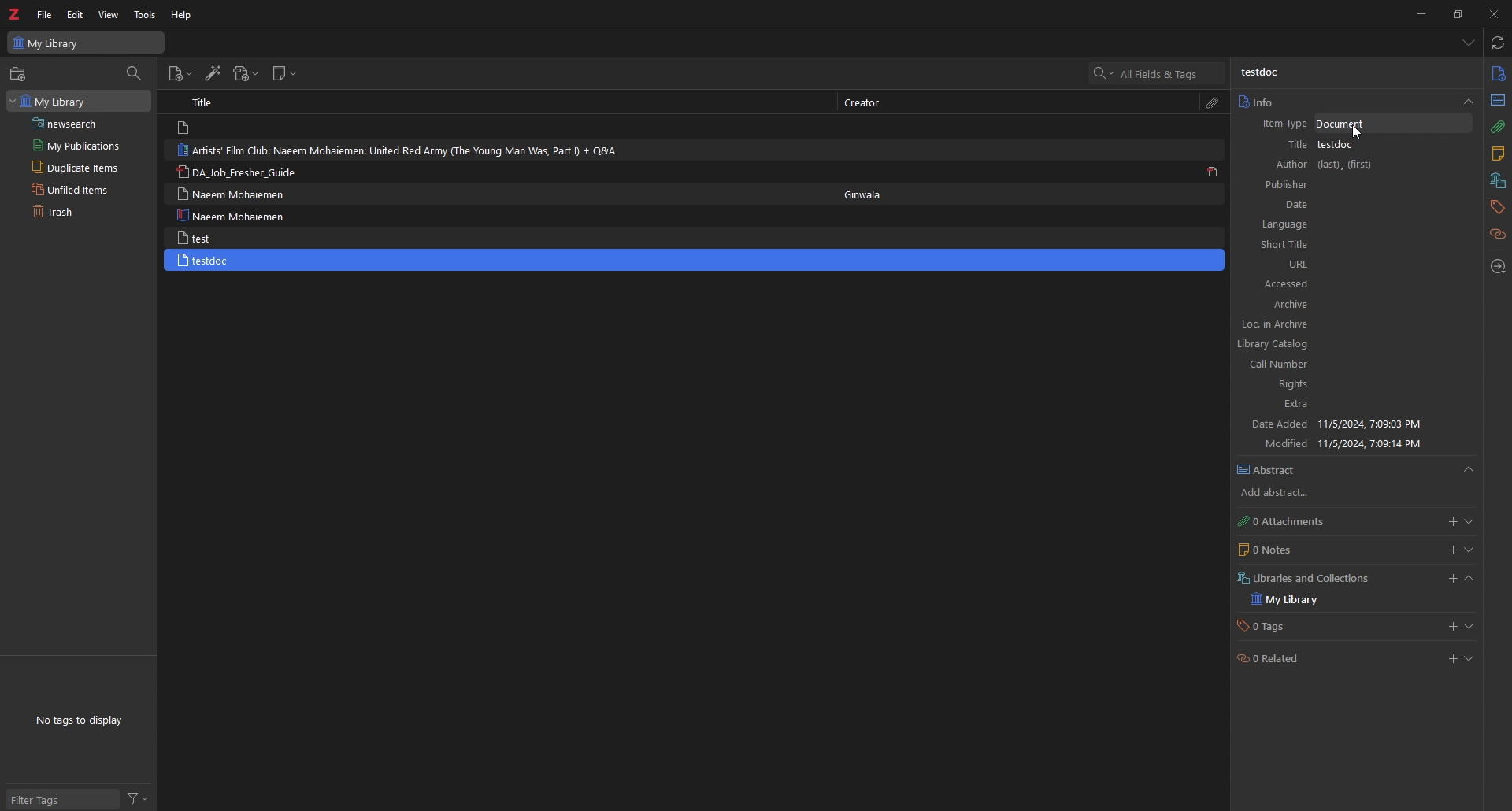 This screenshot has width=1512, height=811. What do you see at coordinates (1456, 14) in the screenshot?
I see `resize` at bounding box center [1456, 14].